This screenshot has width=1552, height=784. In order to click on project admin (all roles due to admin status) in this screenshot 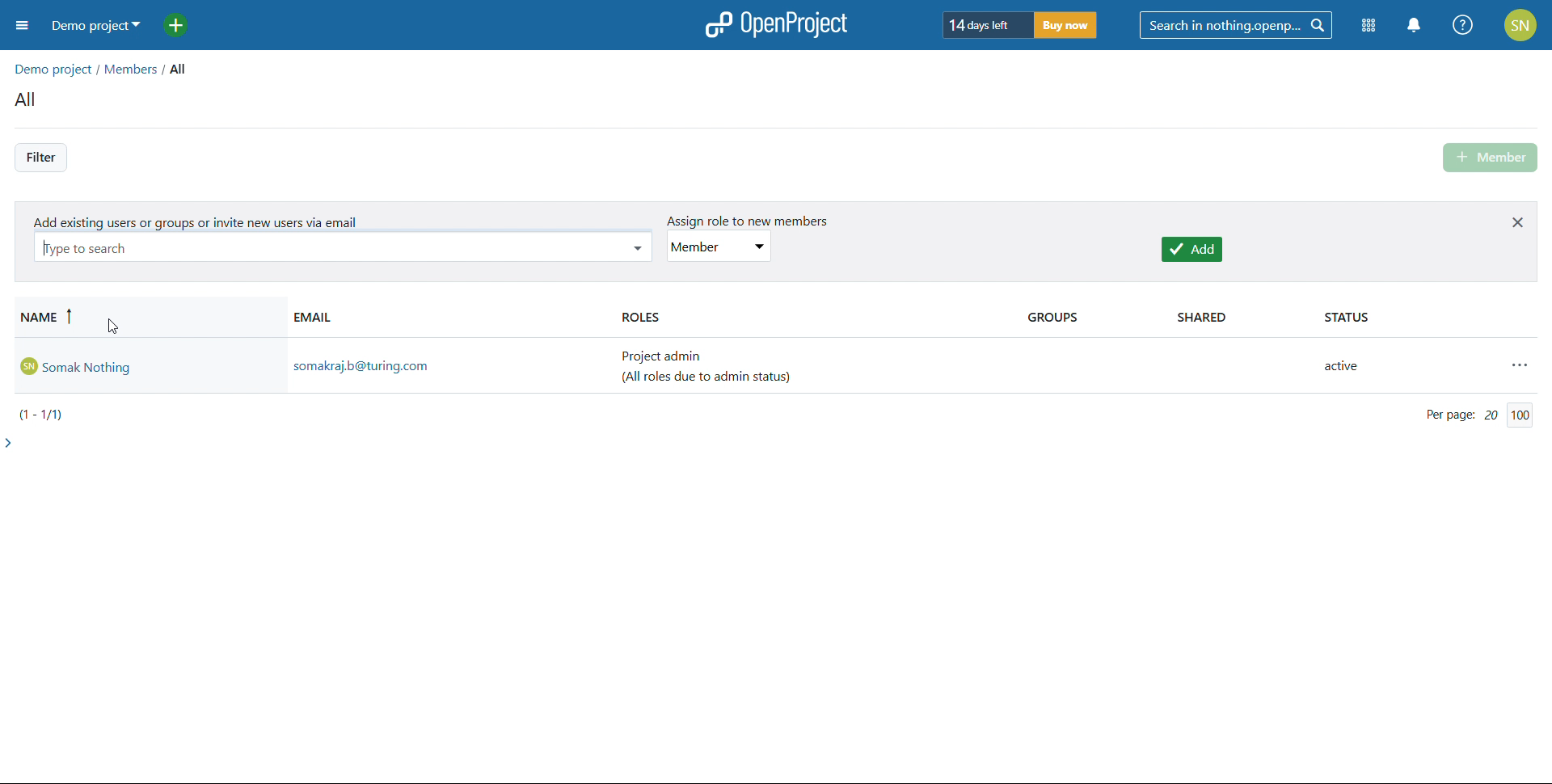, I will do `click(715, 367)`.